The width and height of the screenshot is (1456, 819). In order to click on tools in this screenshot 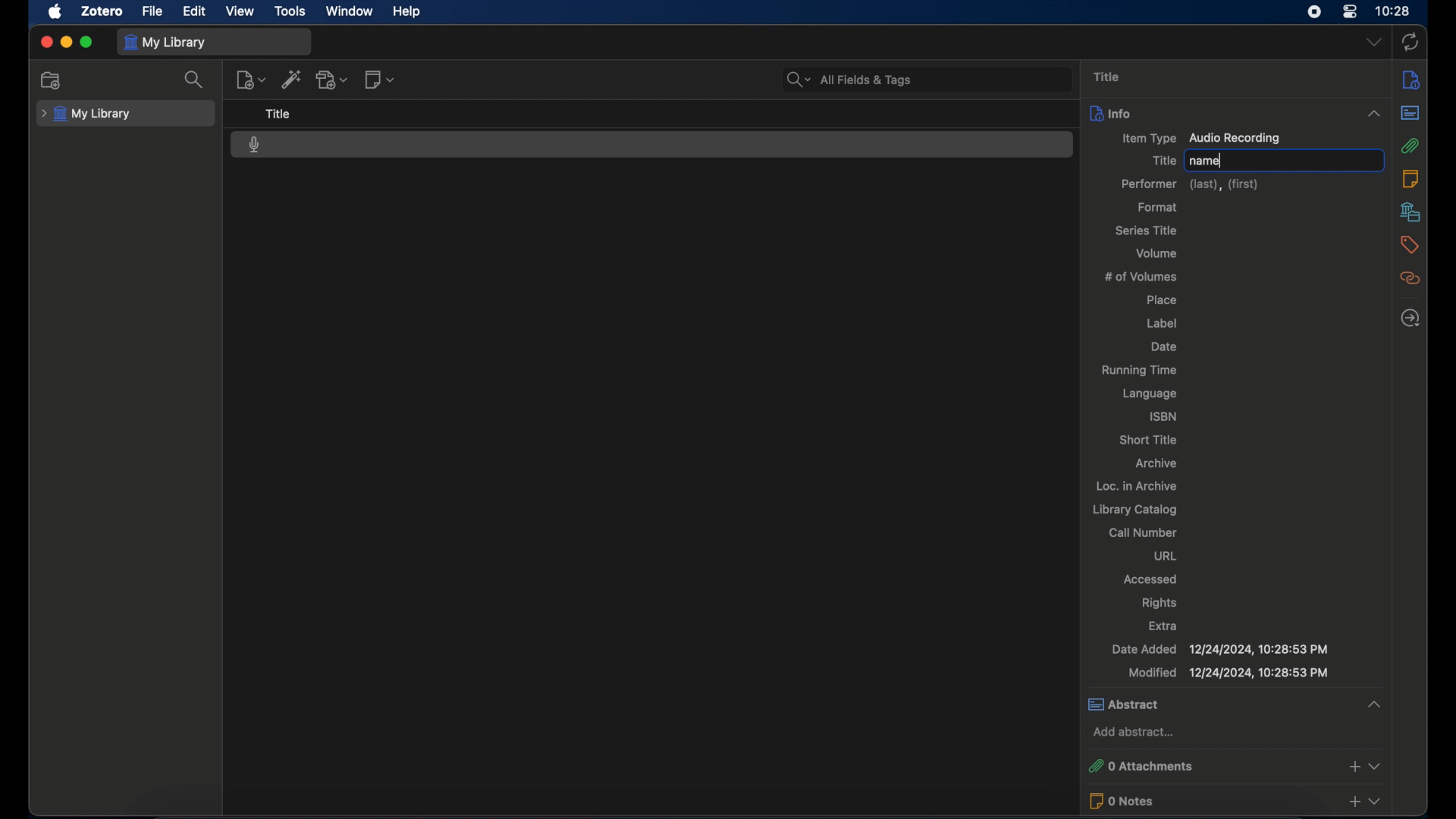, I will do `click(290, 11)`.